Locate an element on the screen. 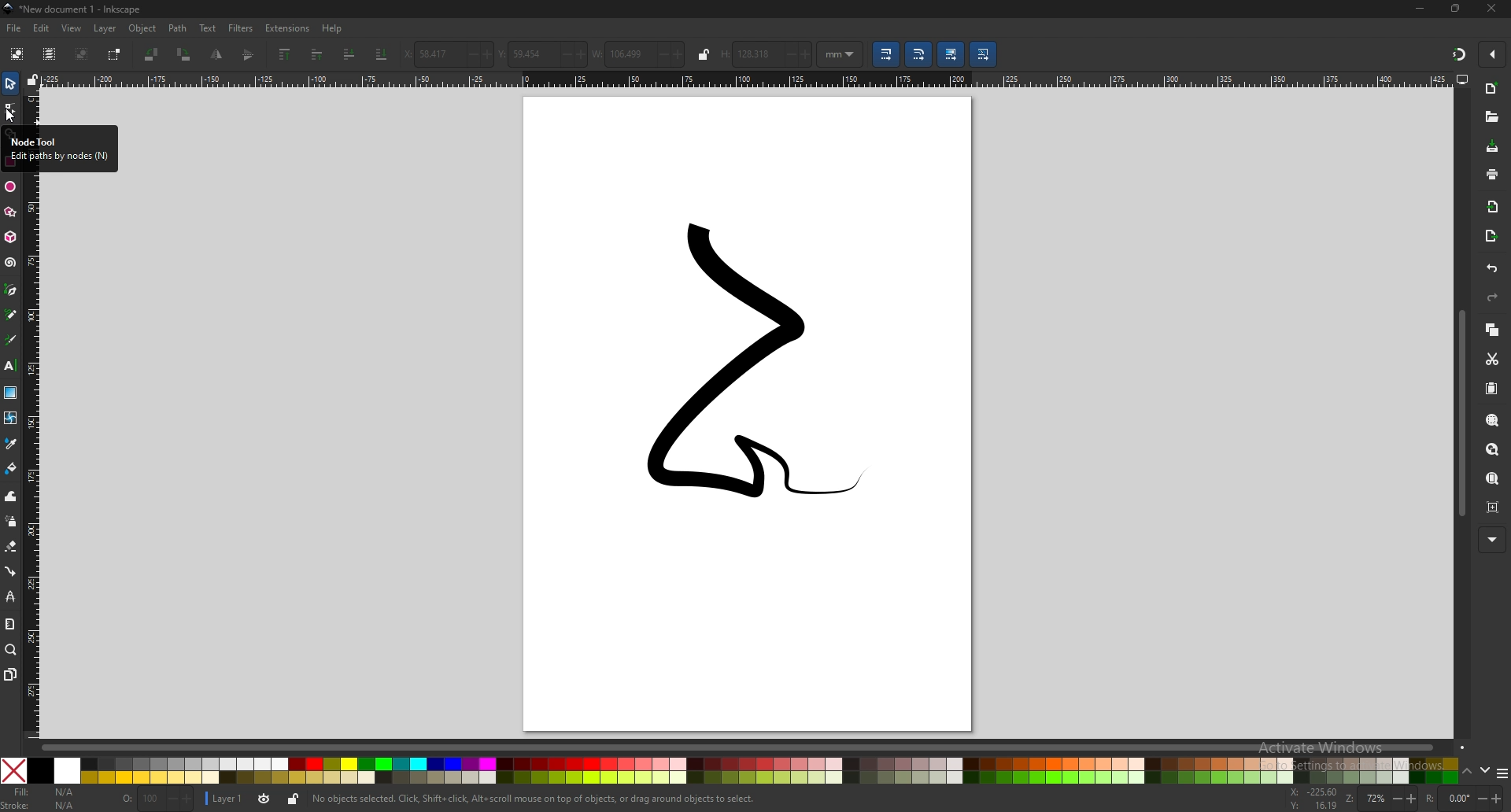  tooltip is located at coordinates (58, 148).